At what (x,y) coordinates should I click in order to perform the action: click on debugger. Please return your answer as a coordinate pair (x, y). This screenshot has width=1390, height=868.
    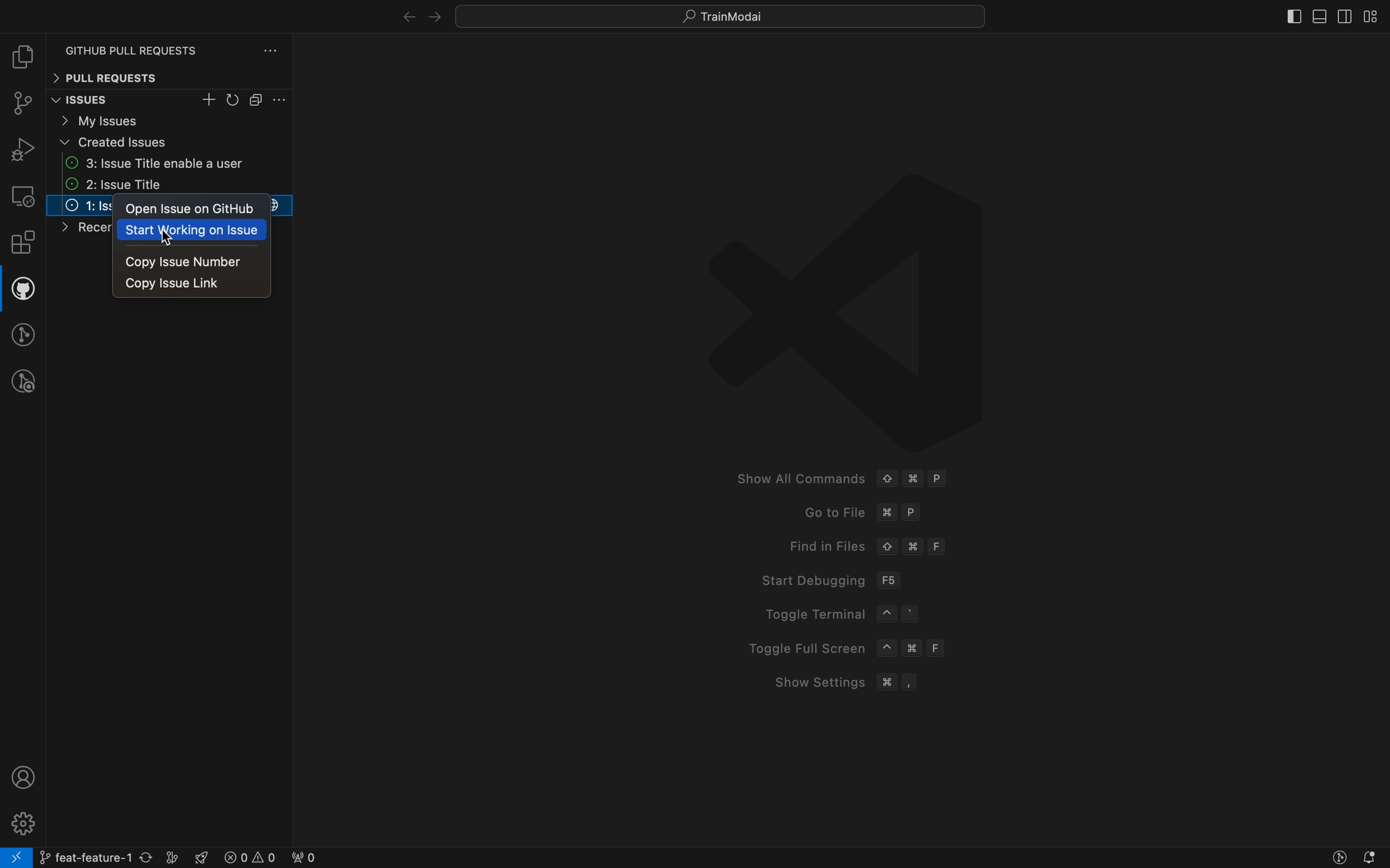
    Looking at the image, I should click on (22, 149).